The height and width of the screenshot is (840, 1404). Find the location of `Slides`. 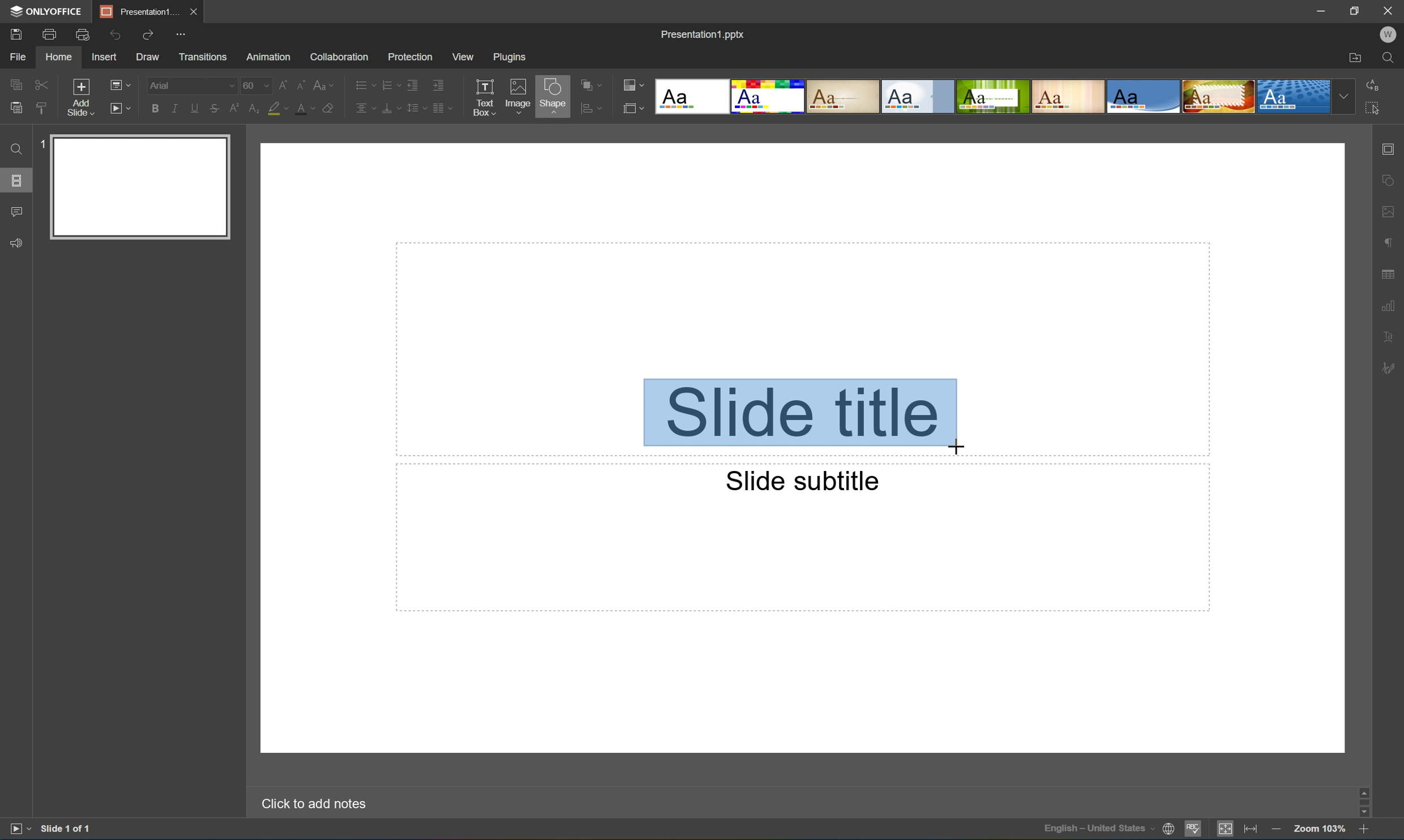

Slides is located at coordinates (16, 179).